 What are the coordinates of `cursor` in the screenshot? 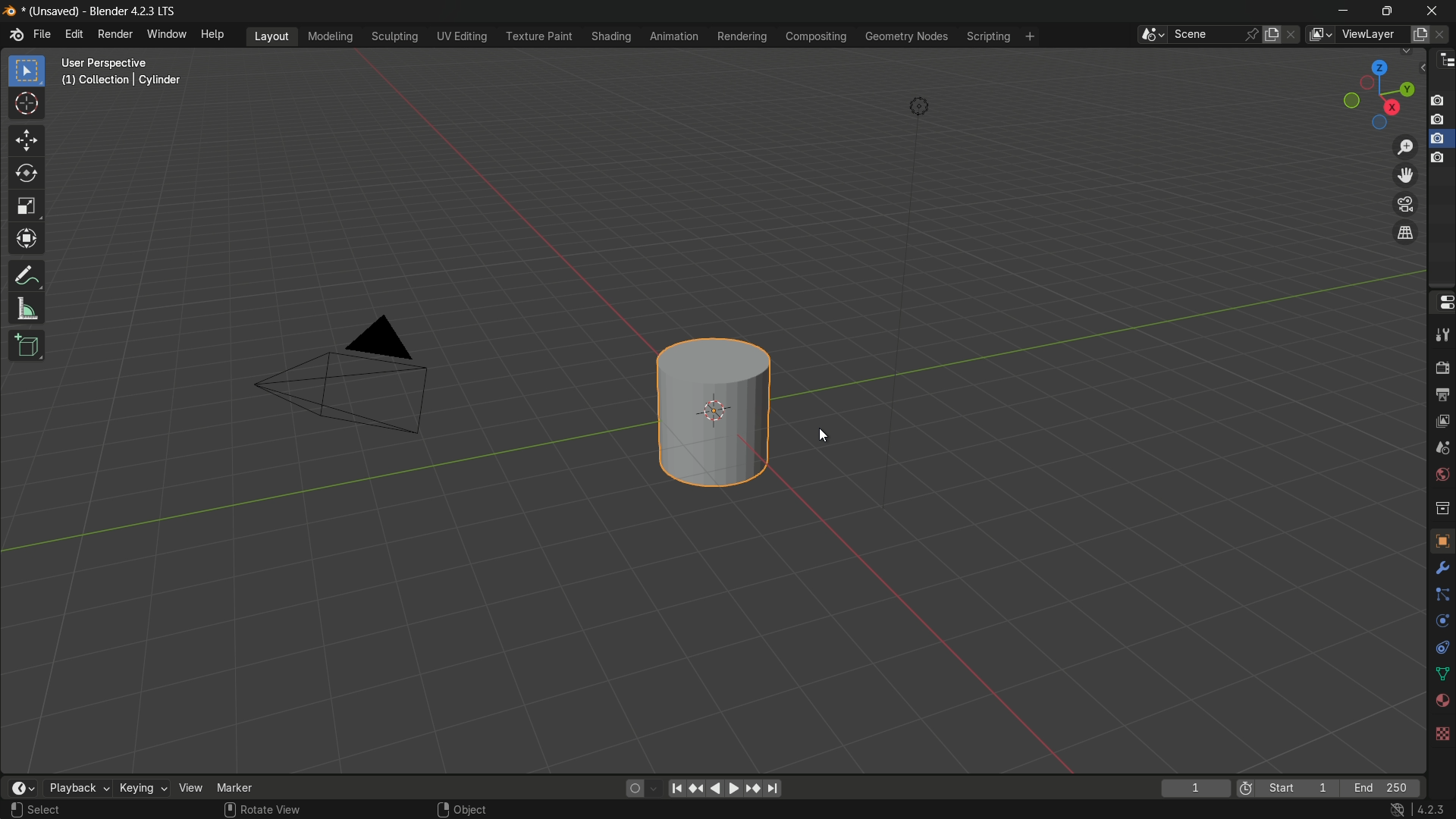 It's located at (827, 437).